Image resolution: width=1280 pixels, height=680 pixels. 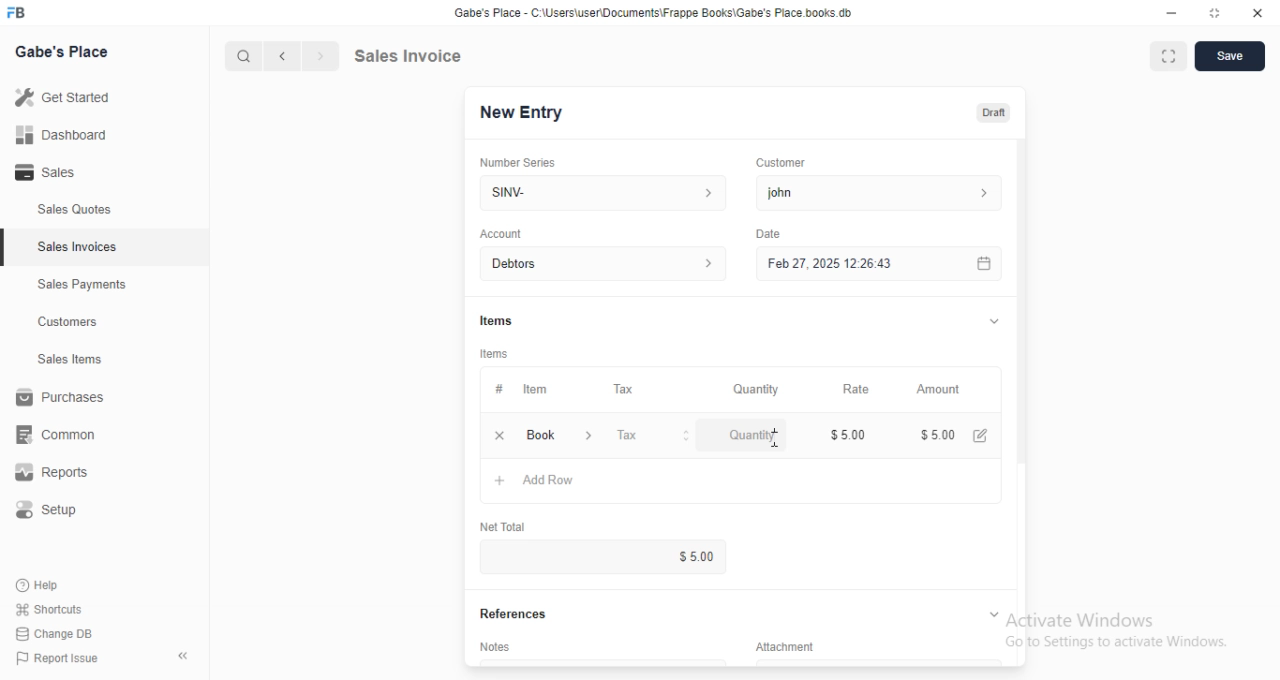 I want to click on Reports, so click(x=49, y=473).